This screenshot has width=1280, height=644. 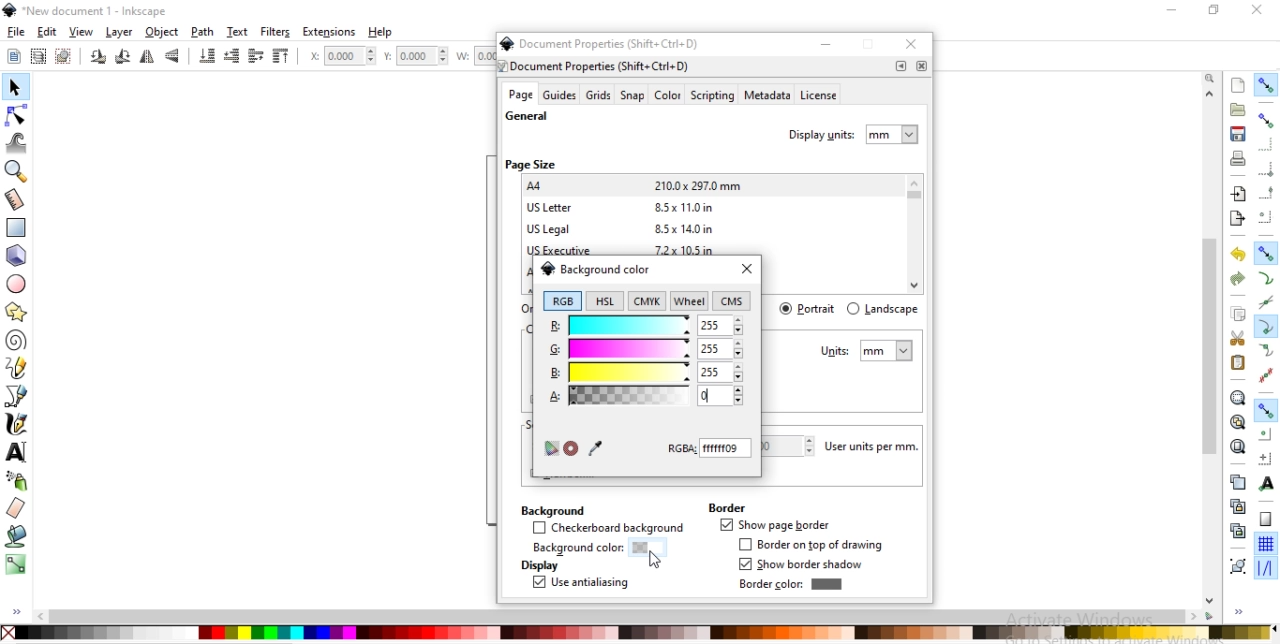 What do you see at coordinates (17, 311) in the screenshot?
I see `create stars and polygons` at bounding box center [17, 311].